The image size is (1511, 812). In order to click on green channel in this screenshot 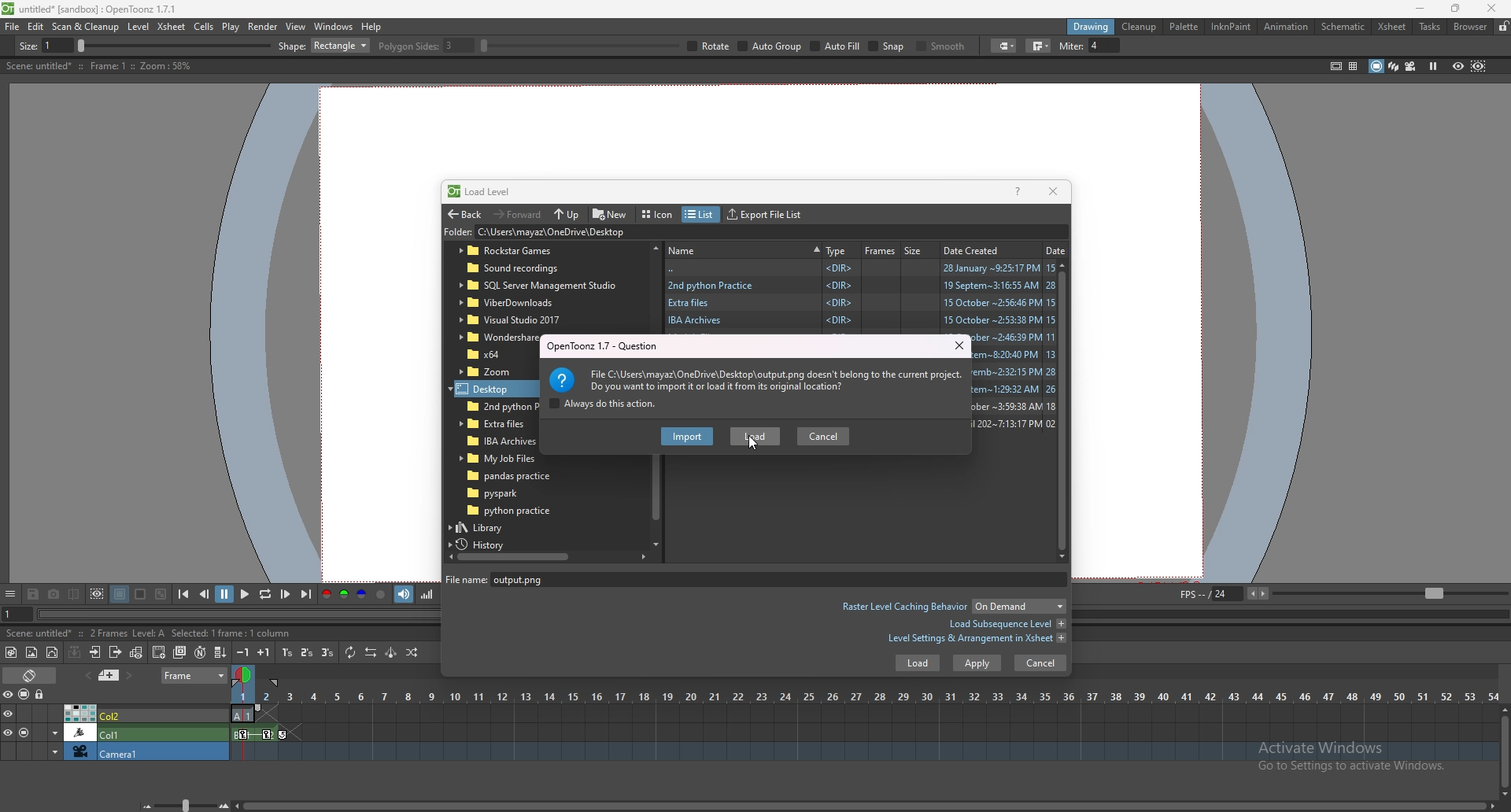, I will do `click(343, 595)`.